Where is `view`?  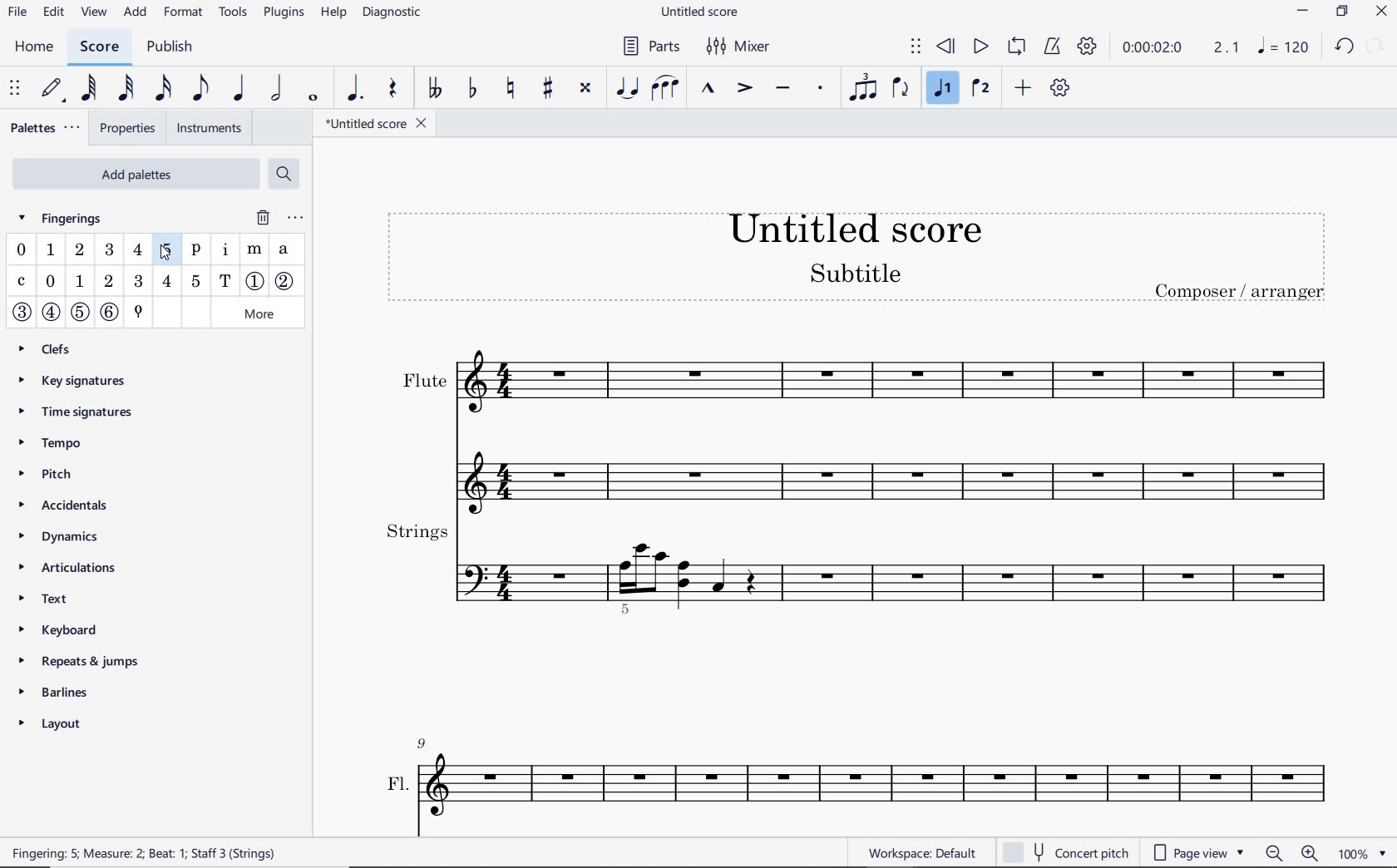
view is located at coordinates (94, 12).